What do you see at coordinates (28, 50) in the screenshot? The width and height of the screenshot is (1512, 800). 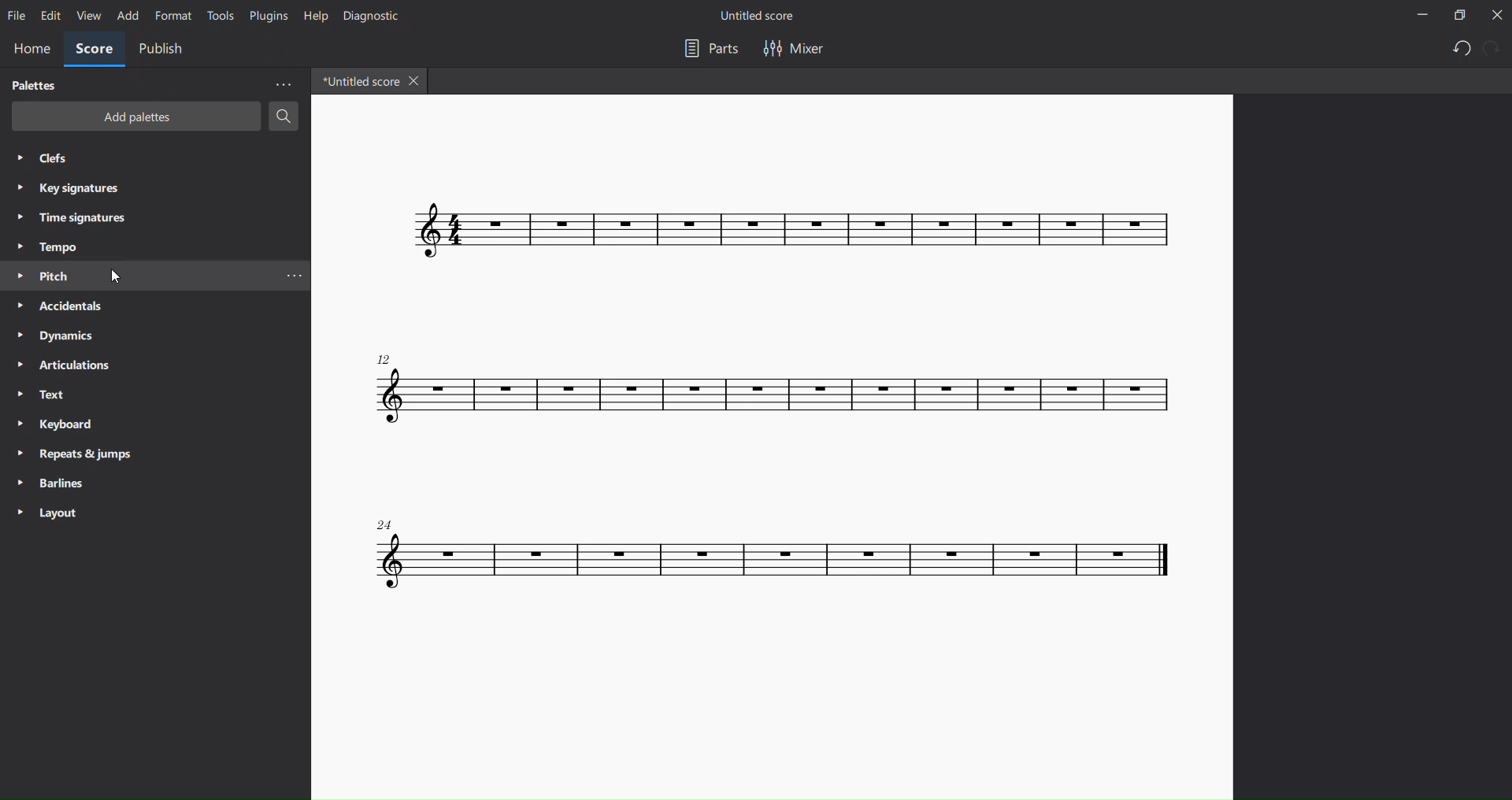 I see `home` at bounding box center [28, 50].